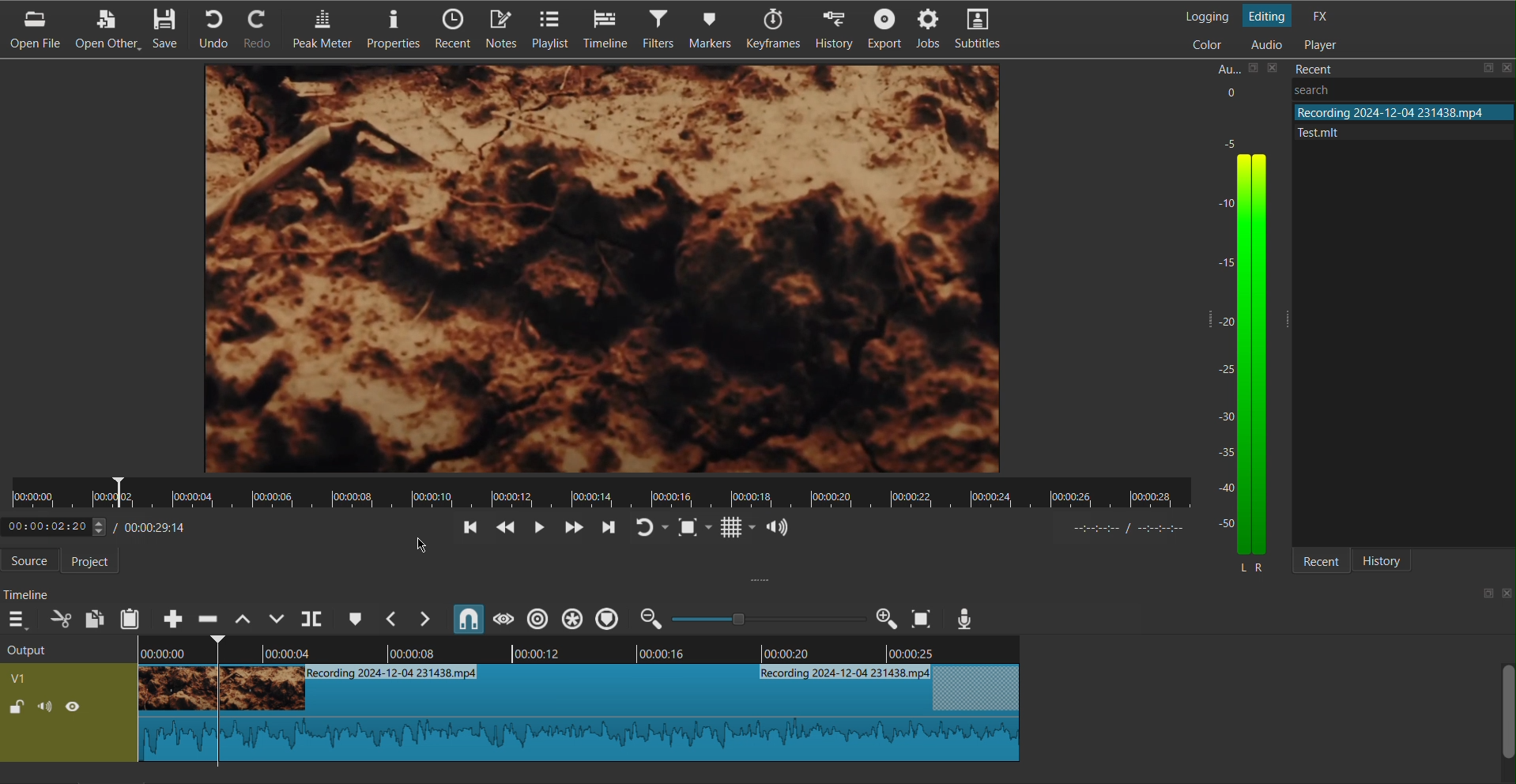 This screenshot has height=784, width=1516. I want to click on Timestamp, so click(151, 527).